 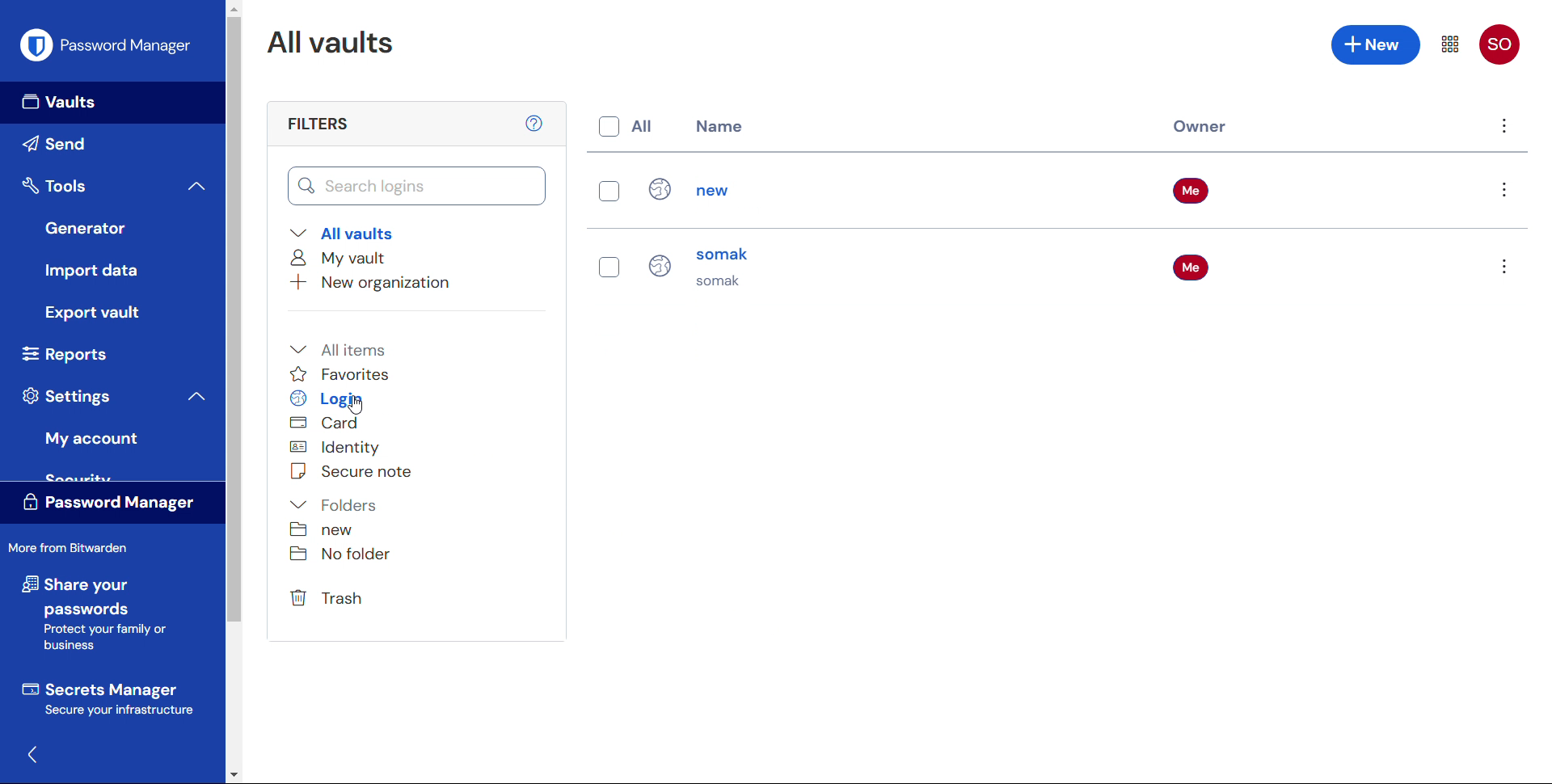 I want to click on Import data , so click(x=87, y=268).